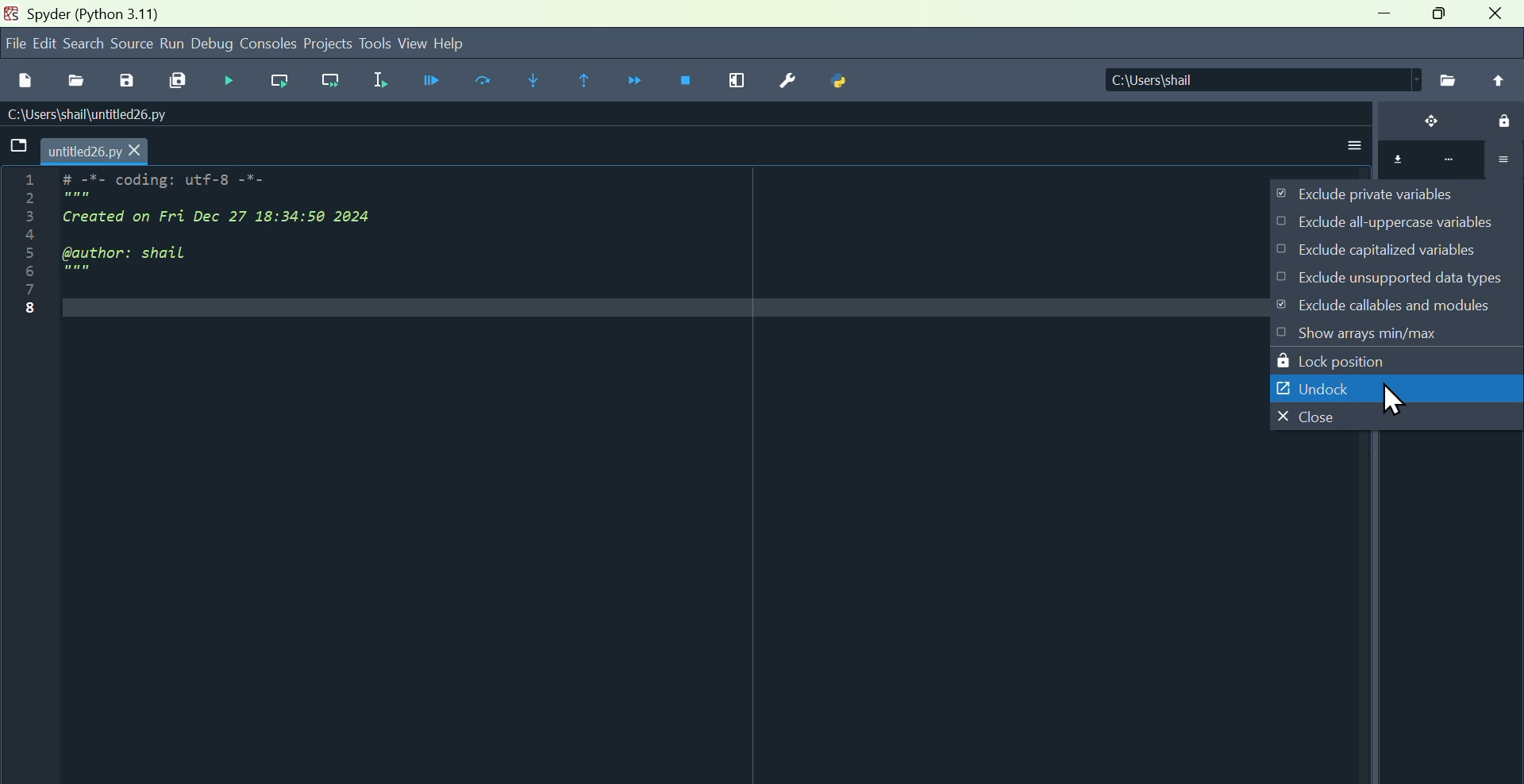 The width and height of the screenshot is (1524, 784). What do you see at coordinates (1307, 417) in the screenshot?
I see `X Close` at bounding box center [1307, 417].